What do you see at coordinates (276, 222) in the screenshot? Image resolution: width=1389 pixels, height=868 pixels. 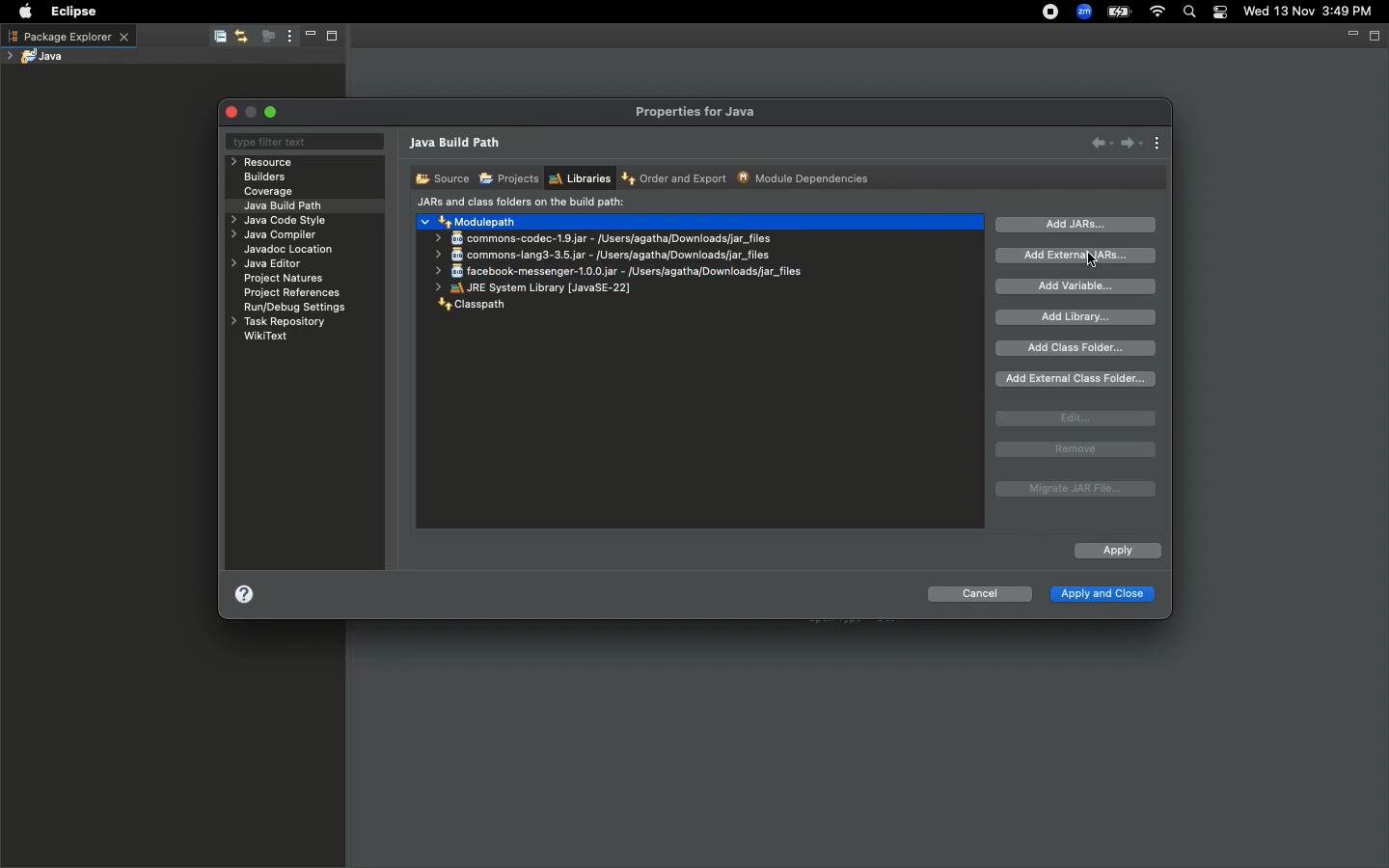 I see `Java code style` at bounding box center [276, 222].